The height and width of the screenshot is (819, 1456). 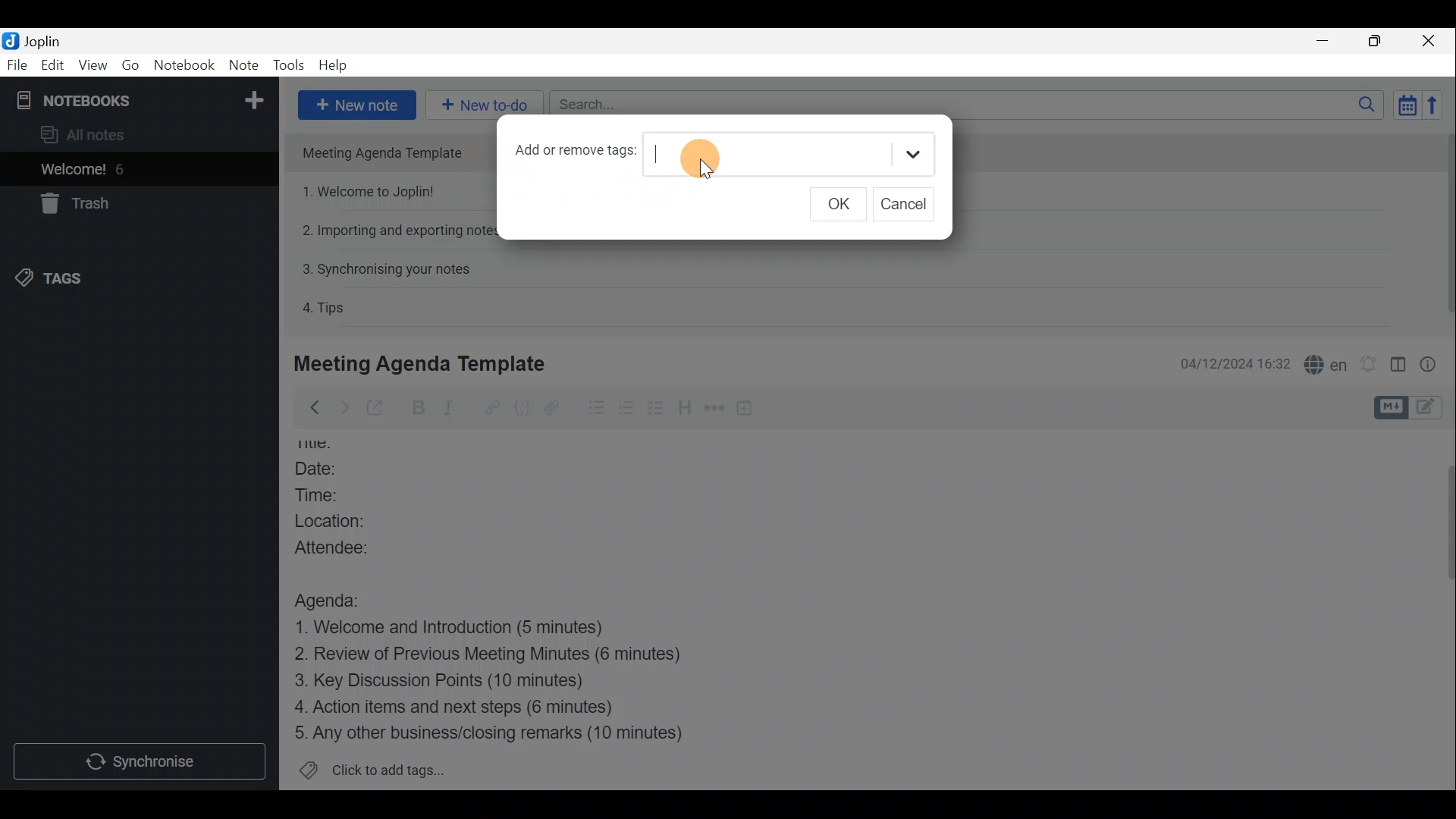 I want to click on Insert time, so click(x=748, y=410).